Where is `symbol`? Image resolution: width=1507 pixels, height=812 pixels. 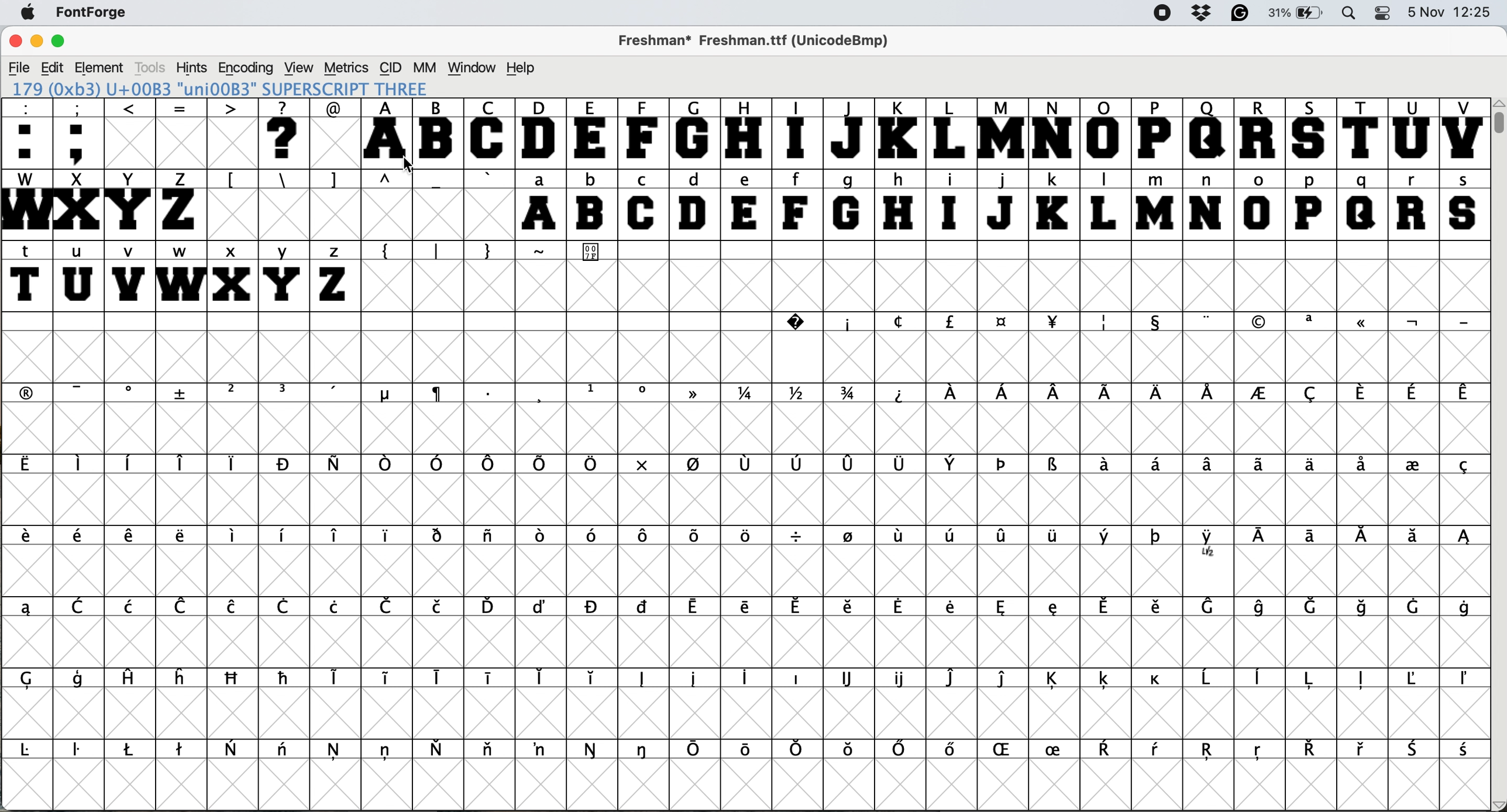
symbol is located at coordinates (1158, 537).